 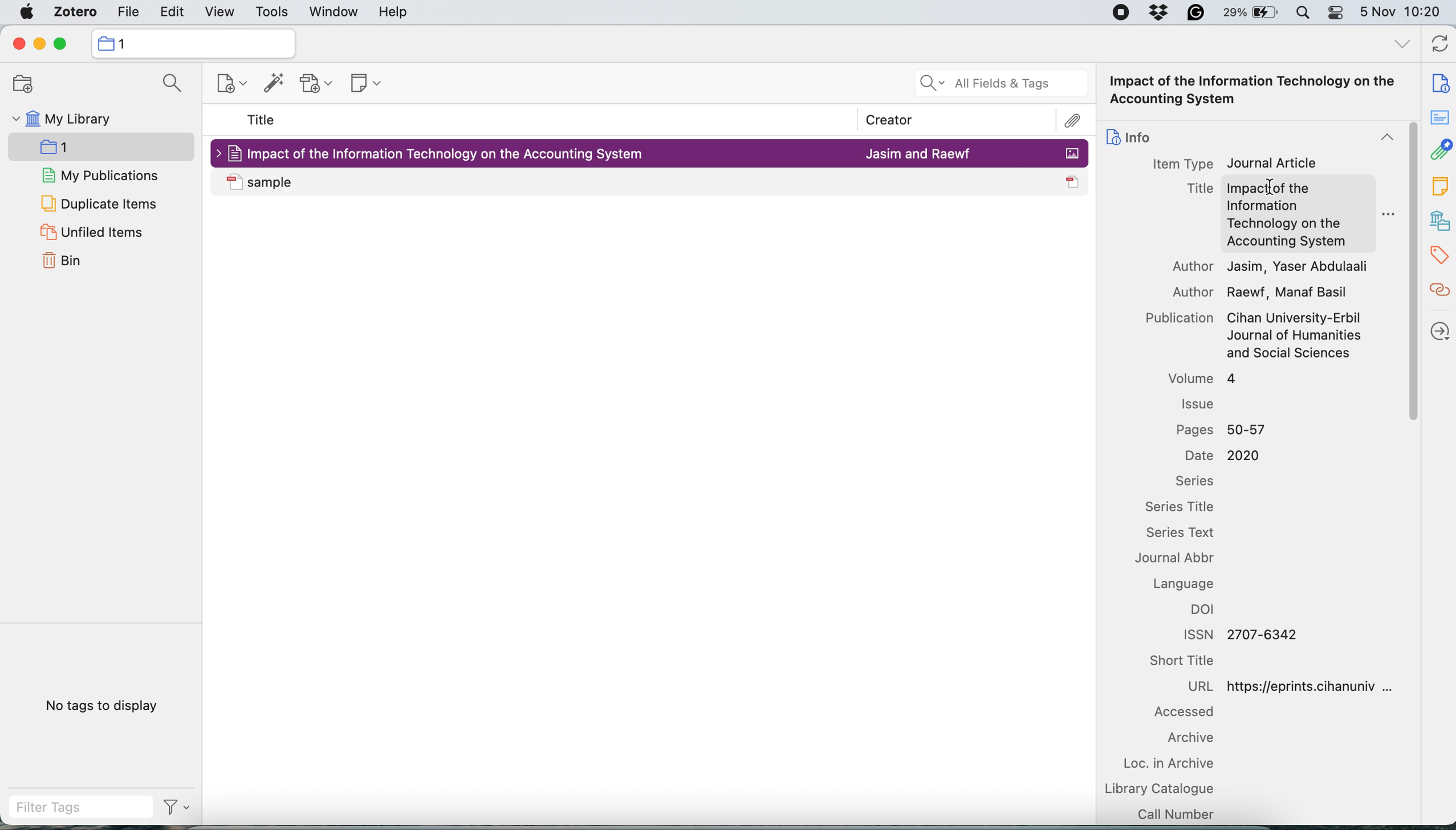 What do you see at coordinates (448, 154) in the screenshot?
I see `Impact of the Information Technology on the Accounting System` at bounding box center [448, 154].